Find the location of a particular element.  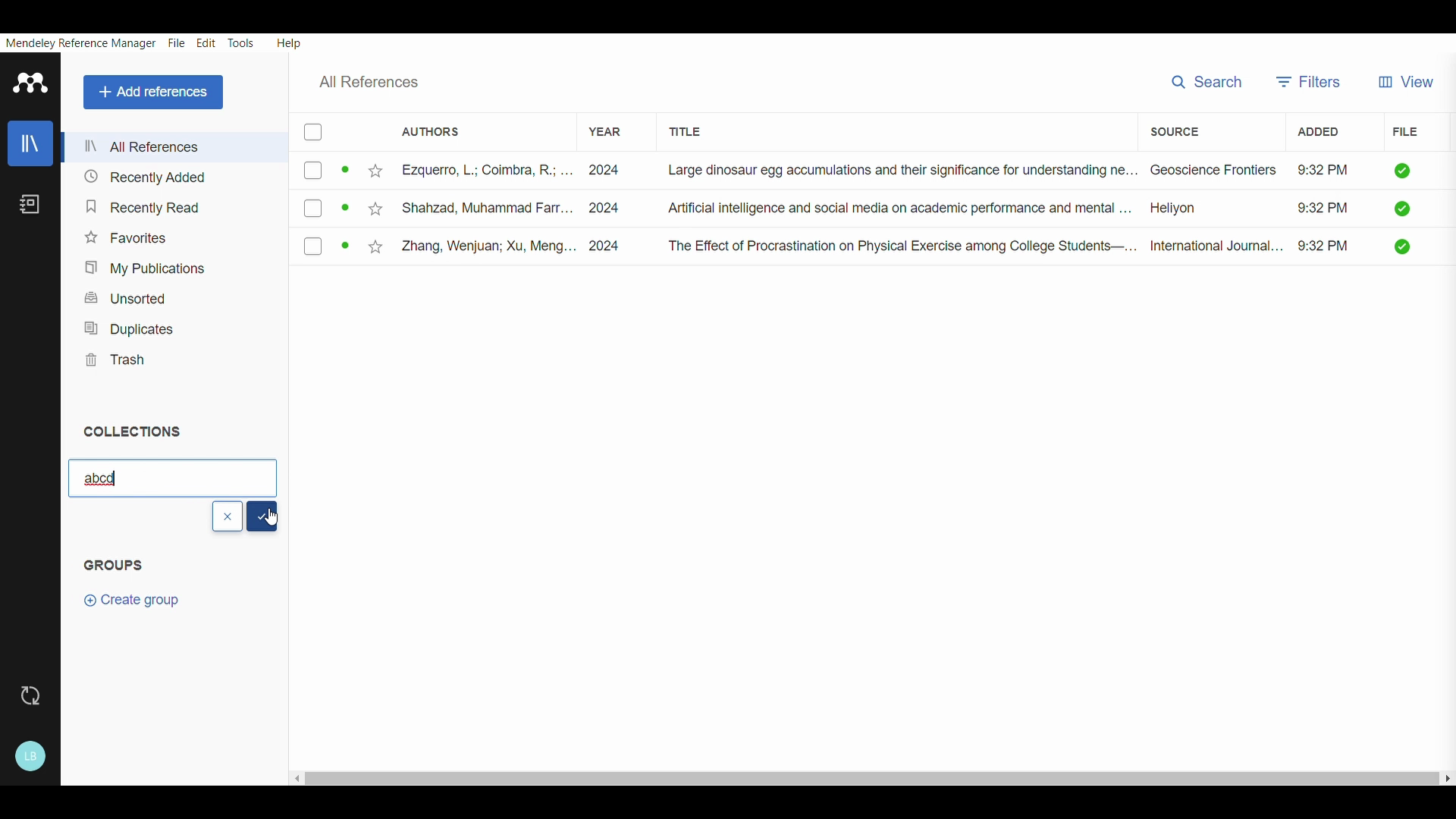

Favorites is located at coordinates (130, 234).